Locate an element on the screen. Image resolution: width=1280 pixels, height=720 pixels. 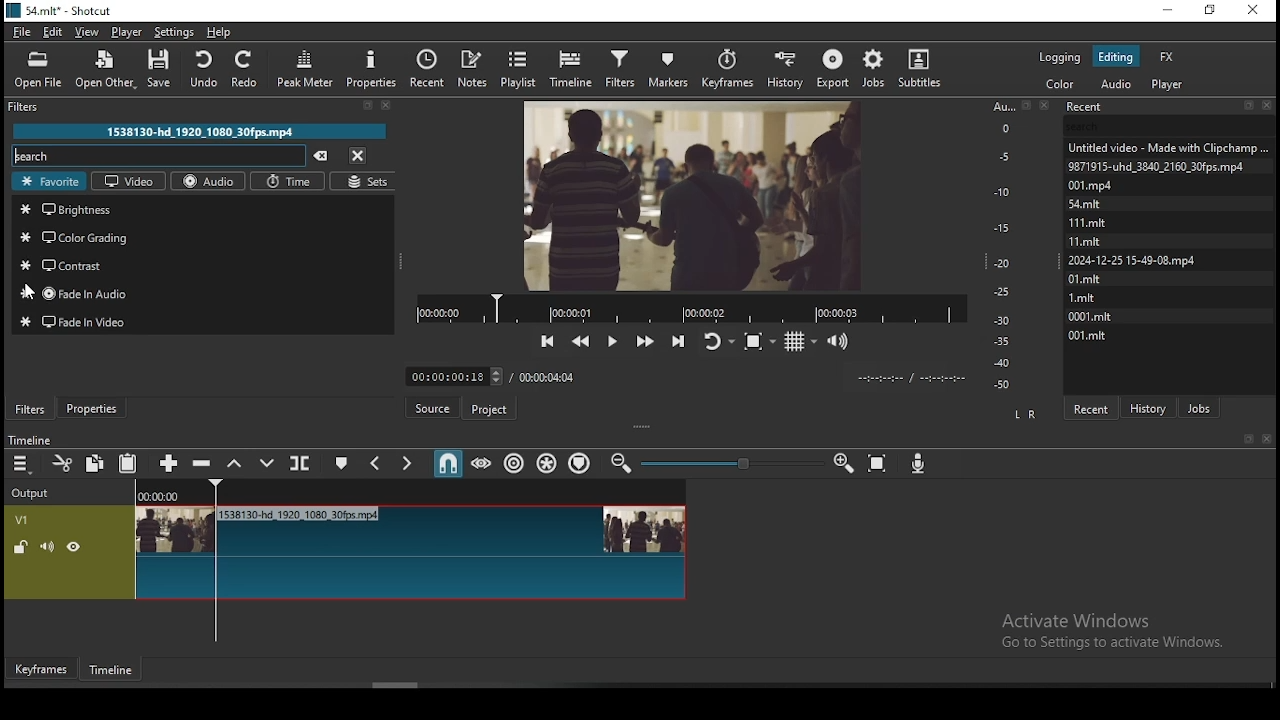
001.mpd is located at coordinates (1093, 185).